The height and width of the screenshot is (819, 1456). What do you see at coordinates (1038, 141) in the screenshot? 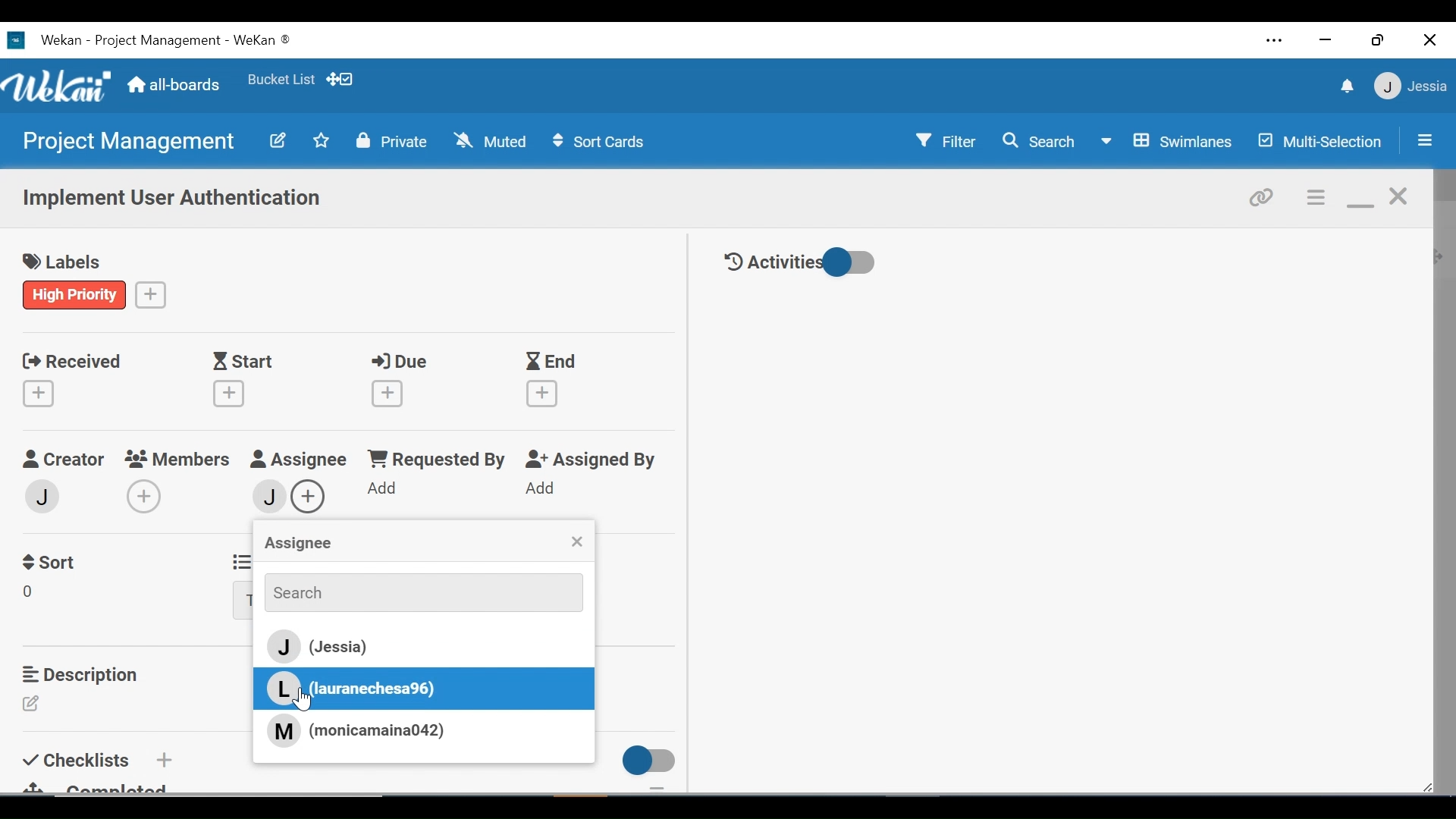
I see `Search` at bounding box center [1038, 141].